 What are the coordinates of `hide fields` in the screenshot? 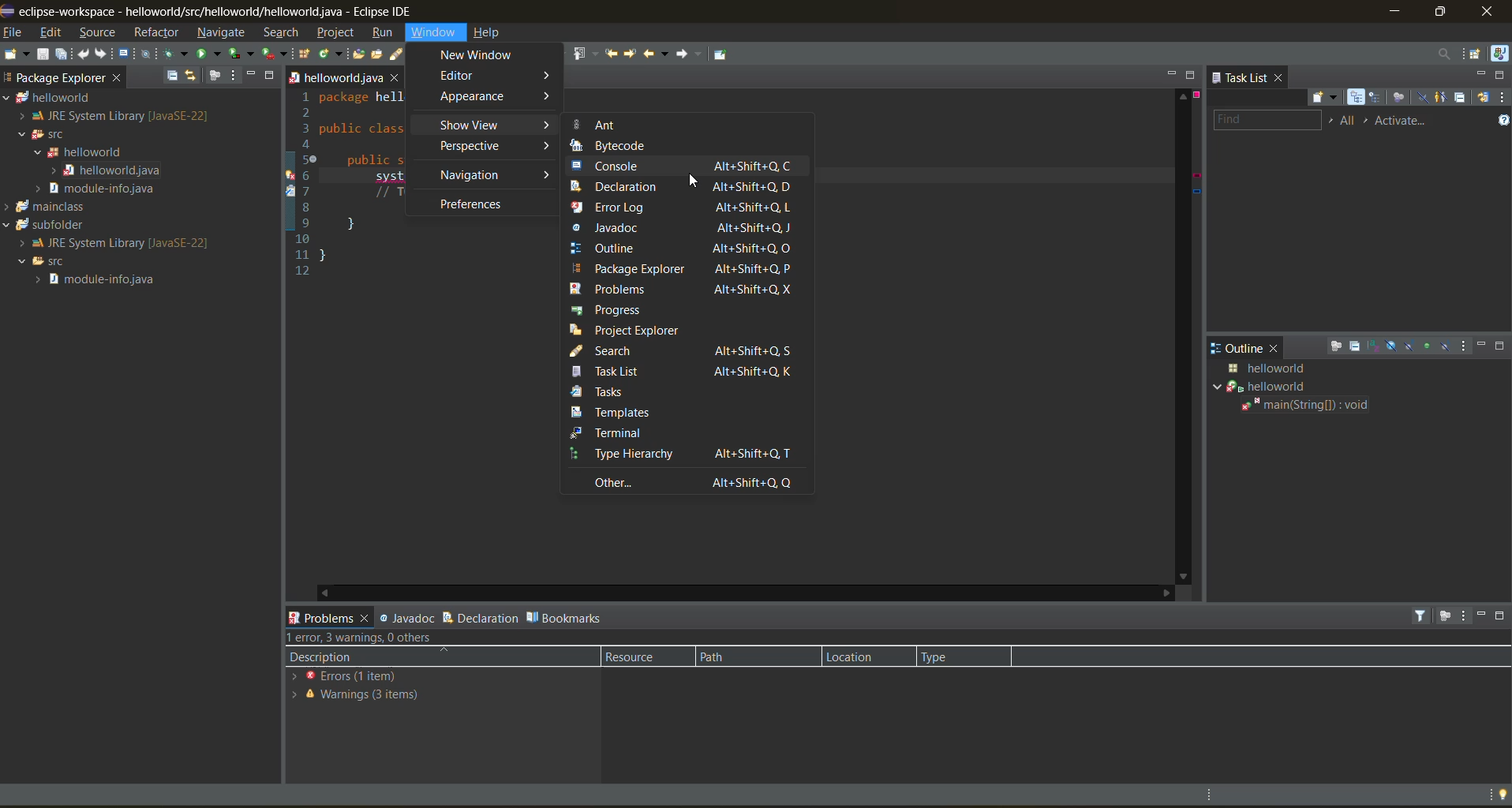 It's located at (1396, 347).